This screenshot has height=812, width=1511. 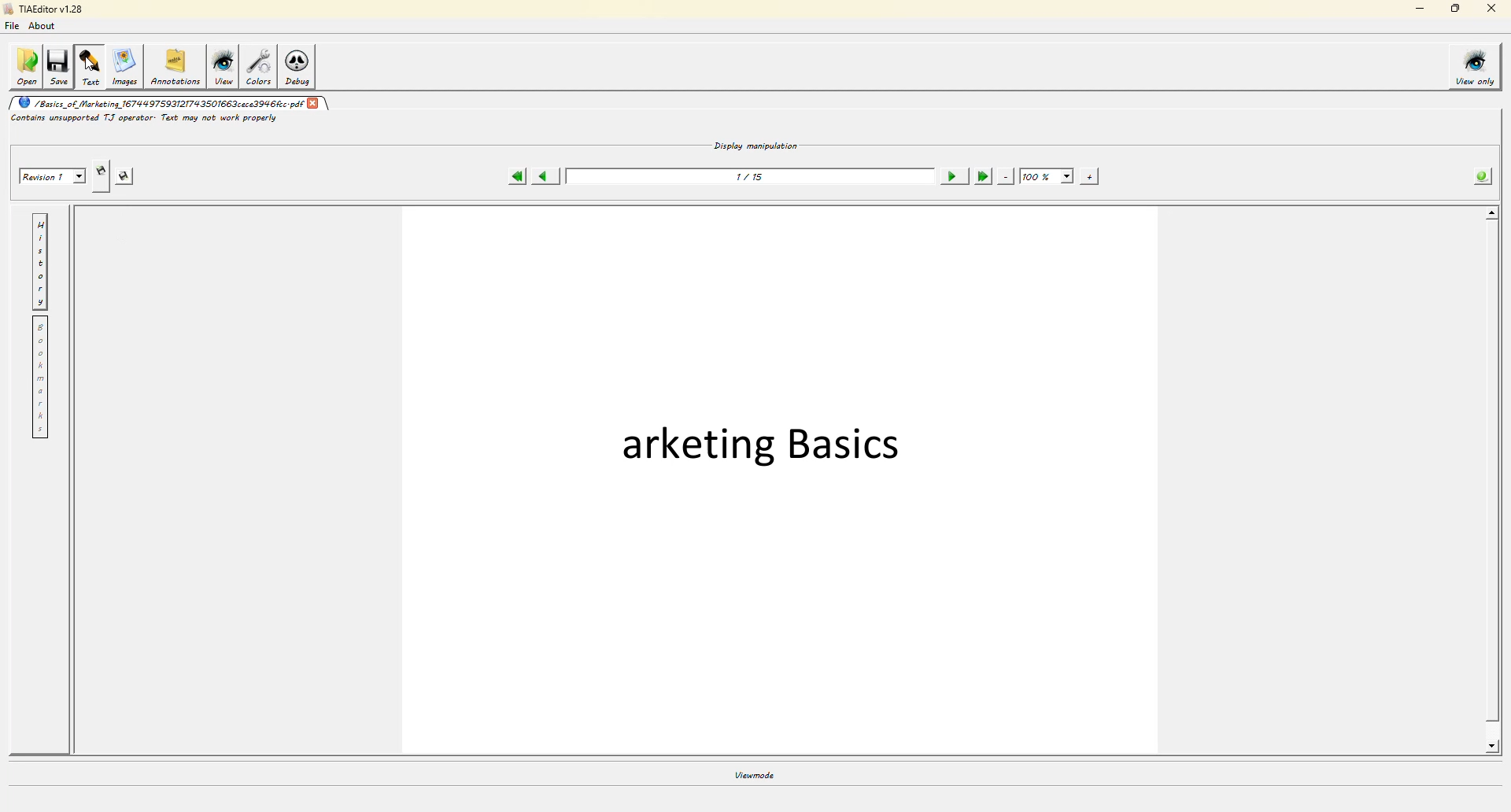 I want to click on view, so click(x=225, y=68).